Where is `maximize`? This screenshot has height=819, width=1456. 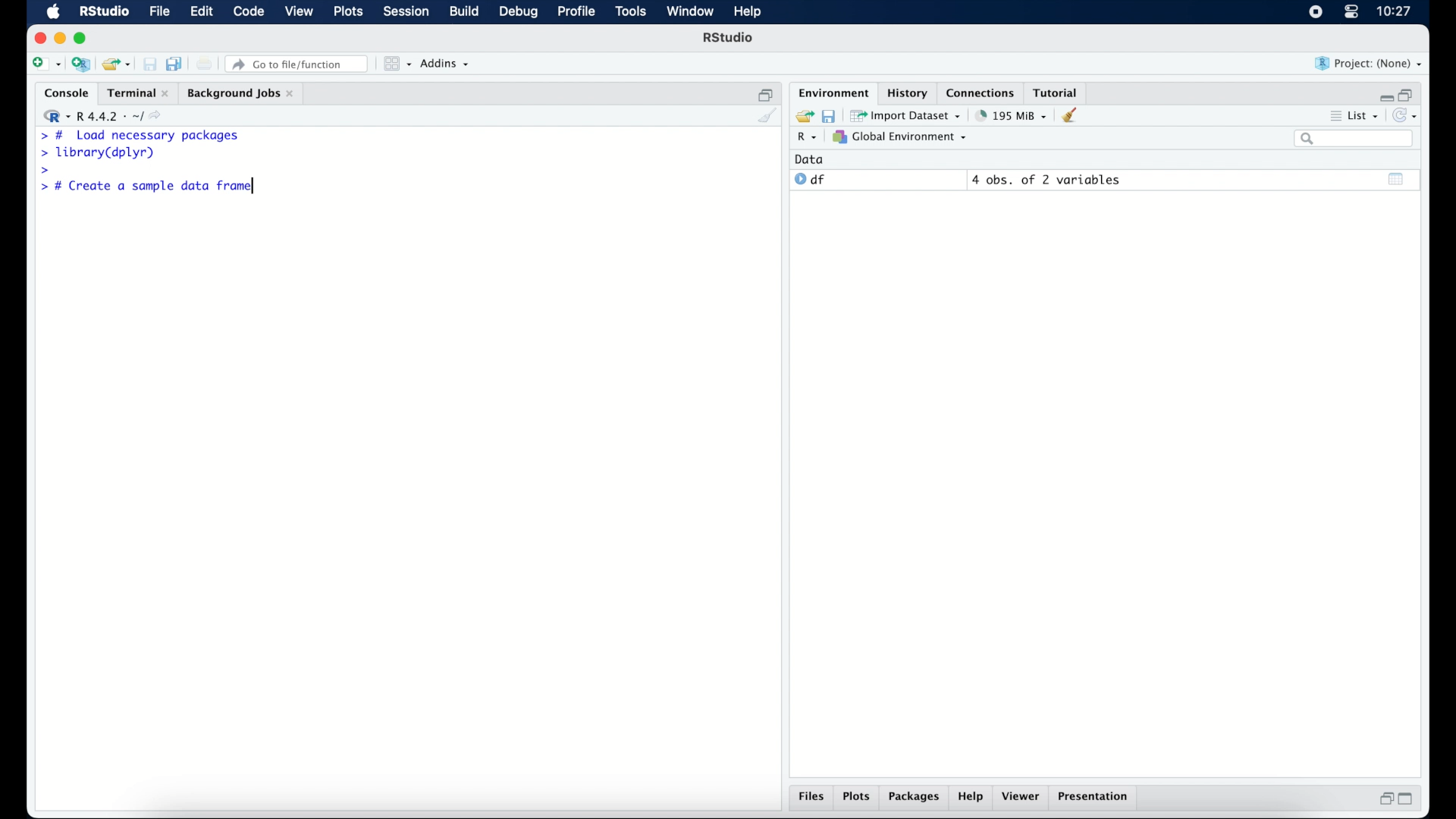 maximize is located at coordinates (83, 38).